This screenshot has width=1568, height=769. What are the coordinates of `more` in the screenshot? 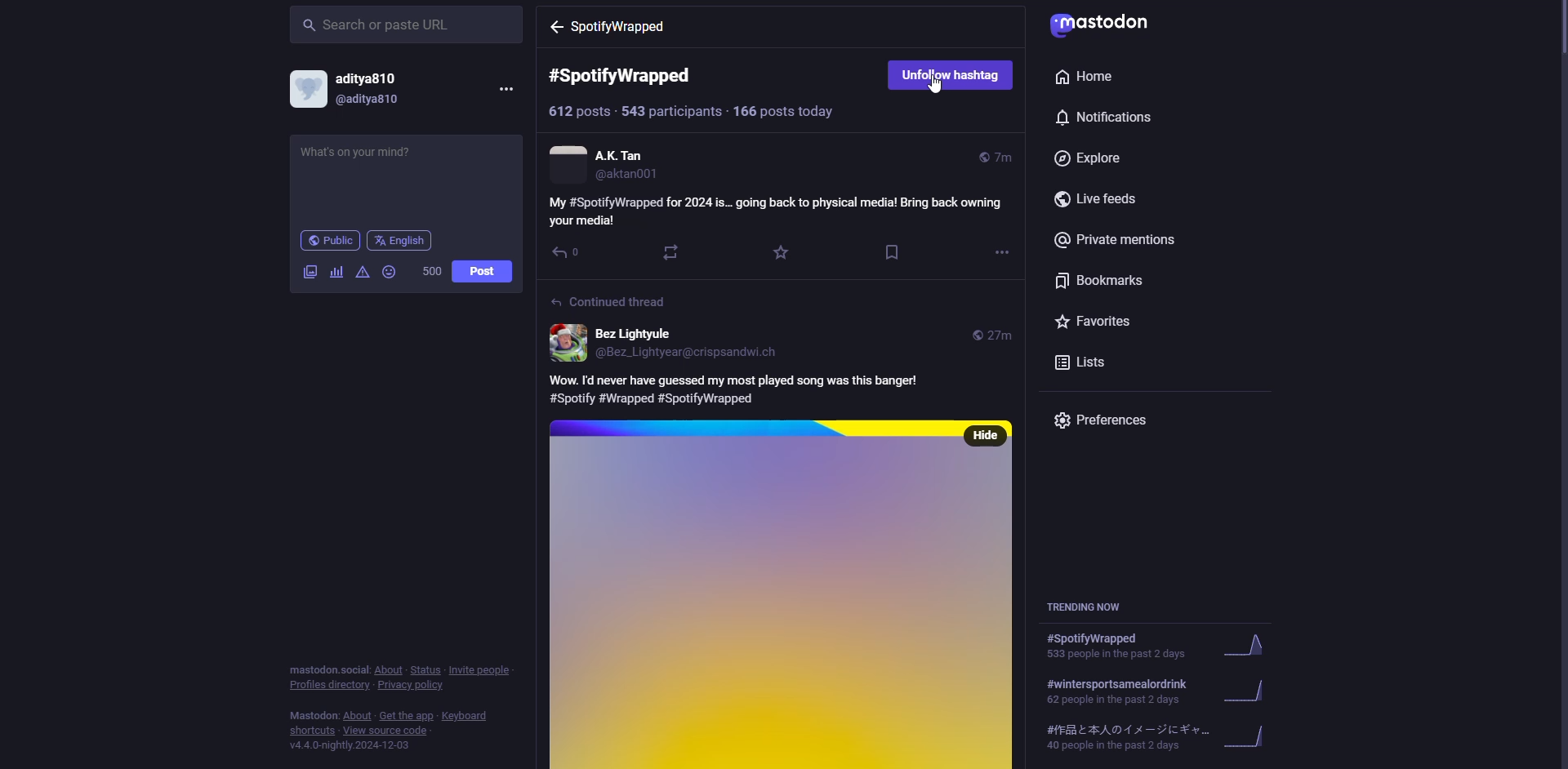 It's located at (506, 89).